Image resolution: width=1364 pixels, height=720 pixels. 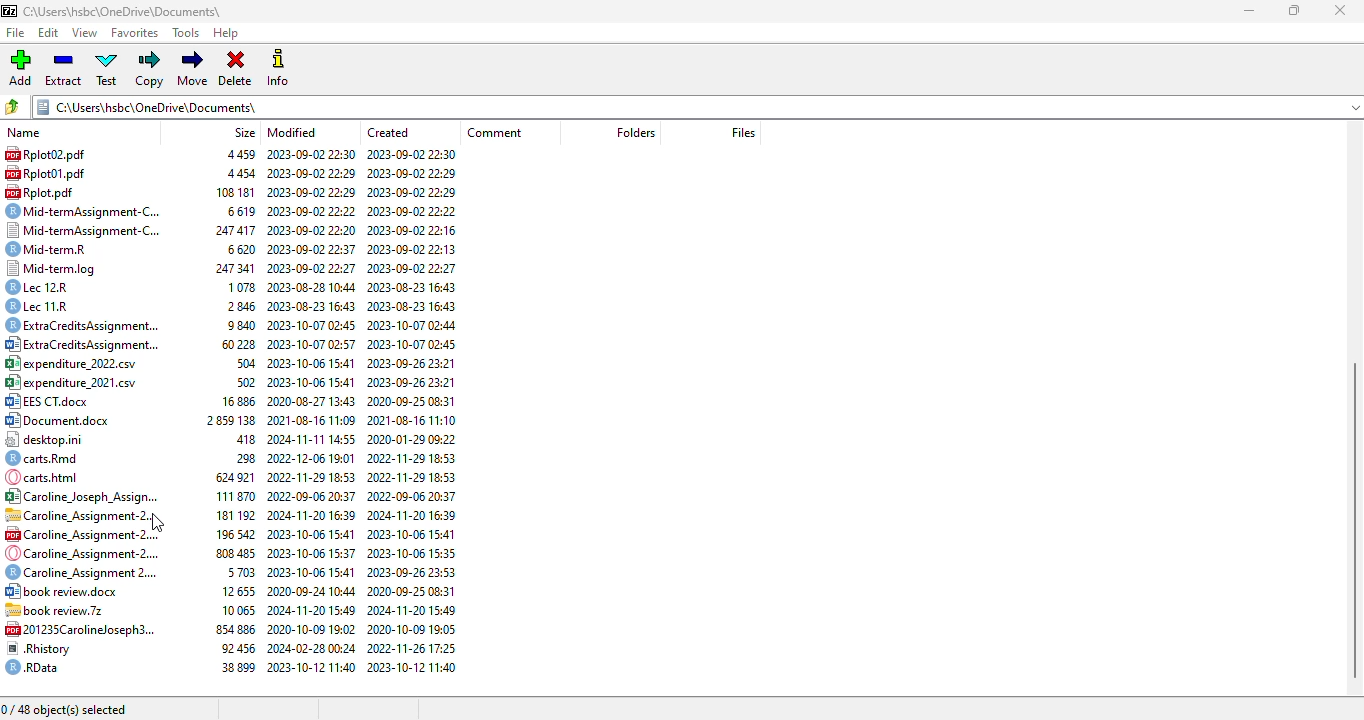 What do you see at coordinates (414, 365) in the screenshot?
I see `2023-09-26 23:21` at bounding box center [414, 365].